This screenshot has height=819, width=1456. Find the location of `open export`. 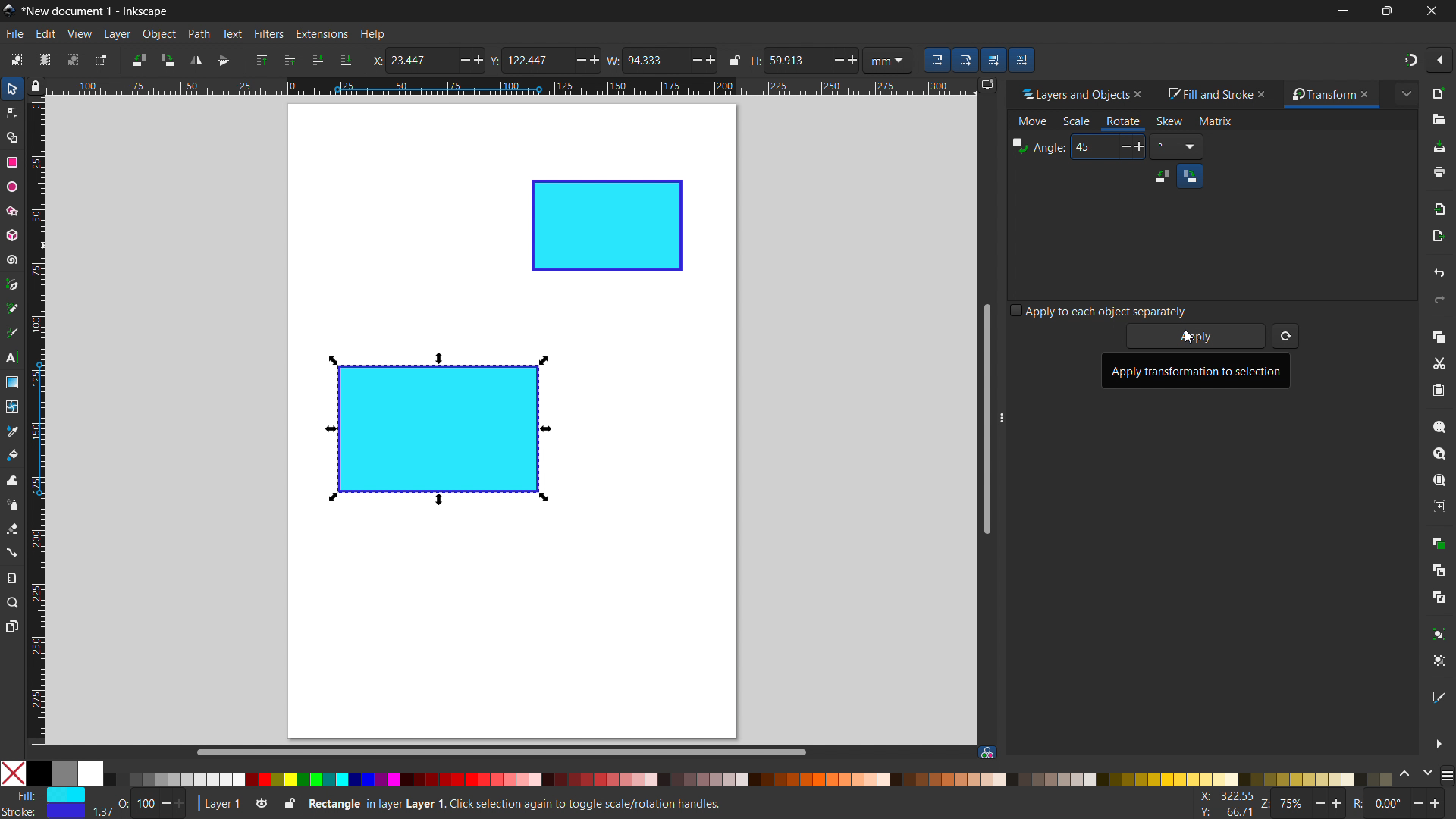

open export is located at coordinates (1438, 235).